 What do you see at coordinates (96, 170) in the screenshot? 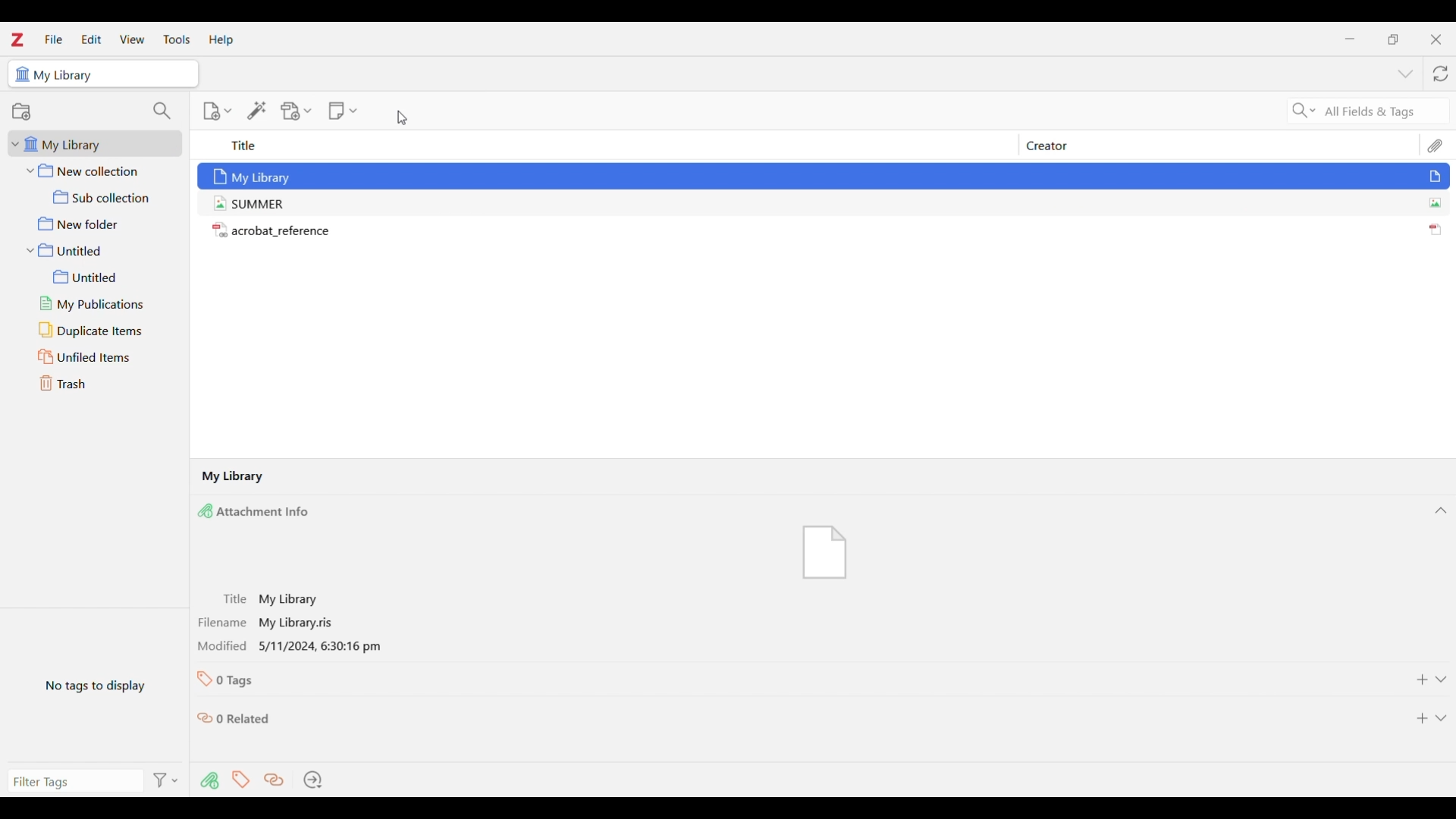
I see `New collection folder` at bounding box center [96, 170].